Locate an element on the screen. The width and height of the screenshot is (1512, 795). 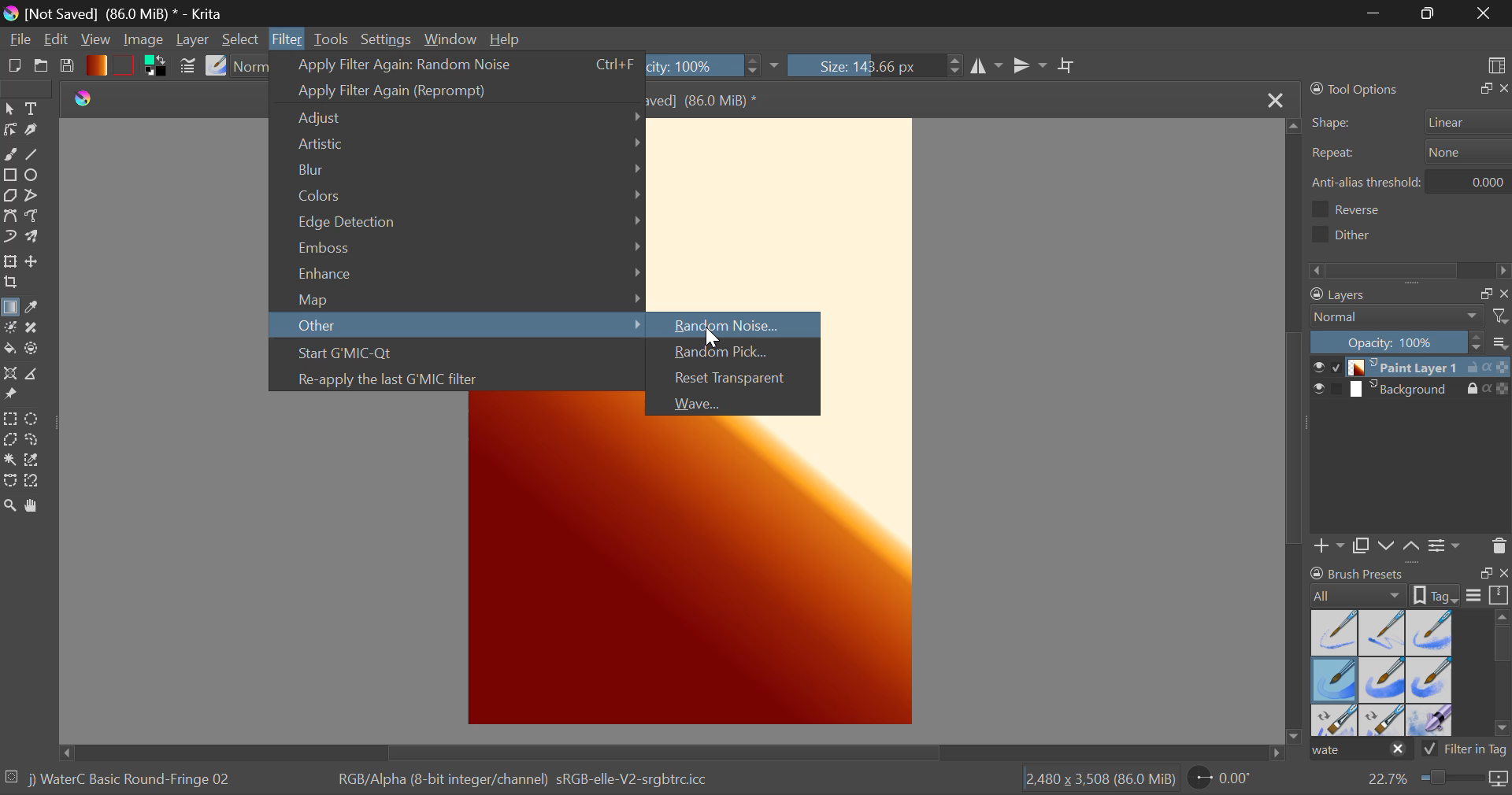
Colorize Mask Tool is located at coordinates (9, 329).